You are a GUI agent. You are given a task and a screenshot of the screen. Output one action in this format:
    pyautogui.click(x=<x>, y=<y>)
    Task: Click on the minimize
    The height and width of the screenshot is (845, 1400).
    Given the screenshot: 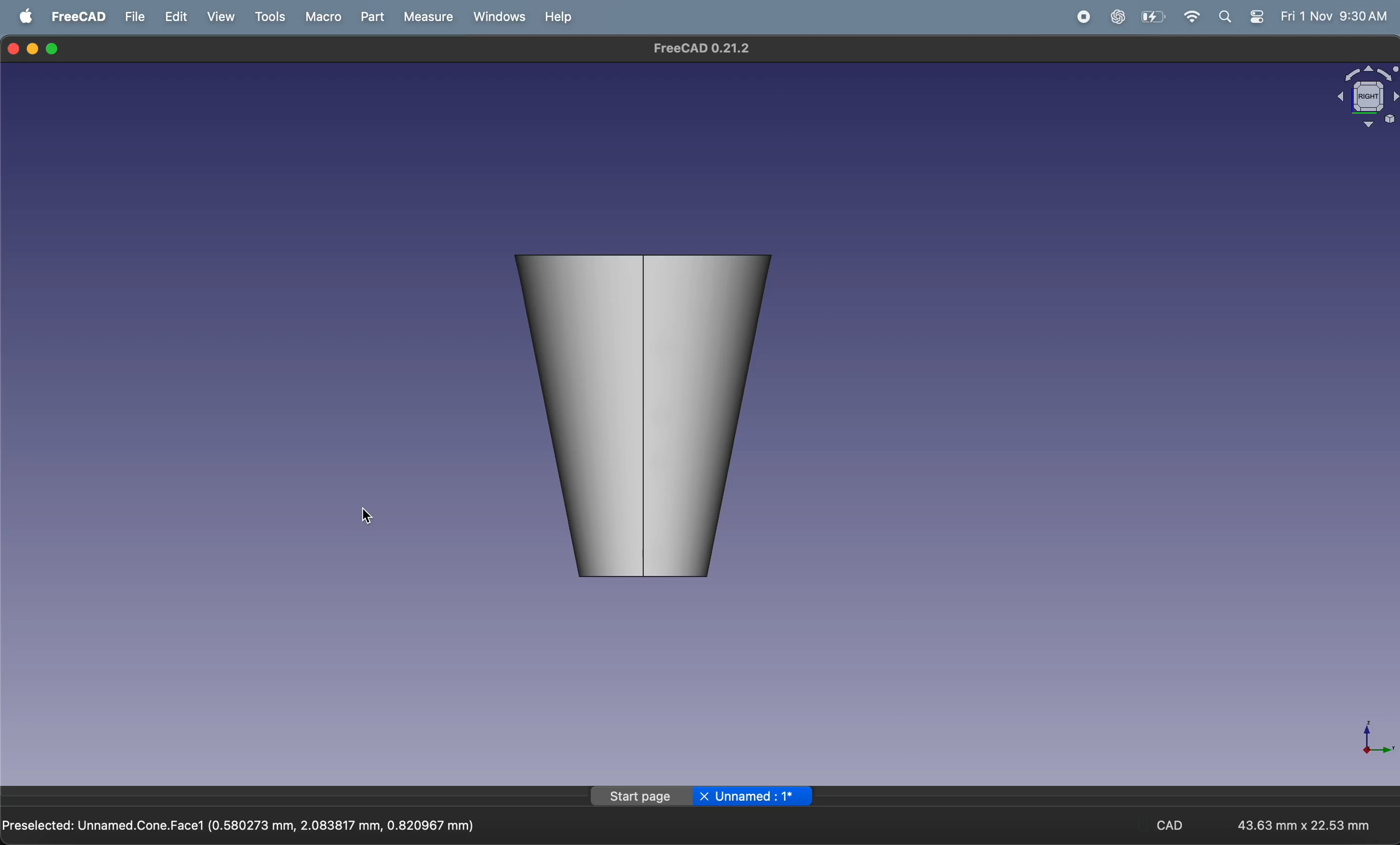 What is the action you would take?
    pyautogui.click(x=35, y=48)
    